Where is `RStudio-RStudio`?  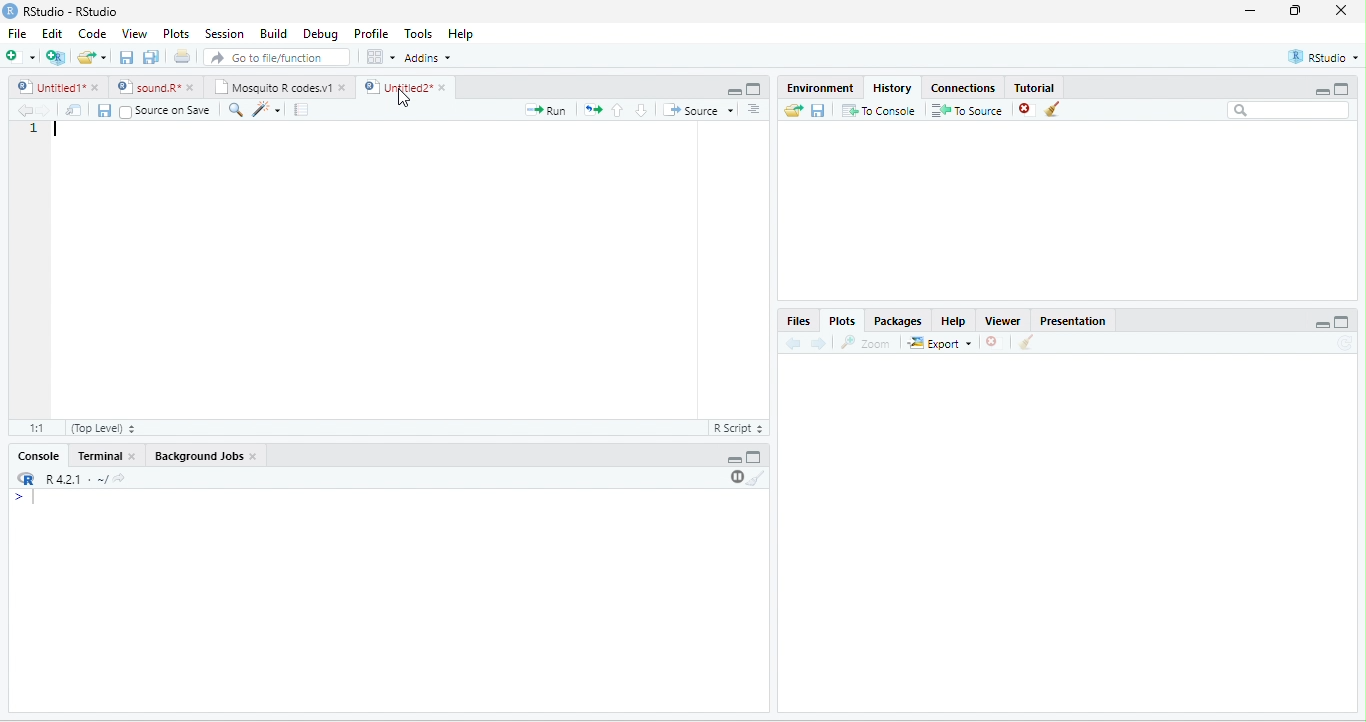 RStudio-RStudio is located at coordinates (72, 11).